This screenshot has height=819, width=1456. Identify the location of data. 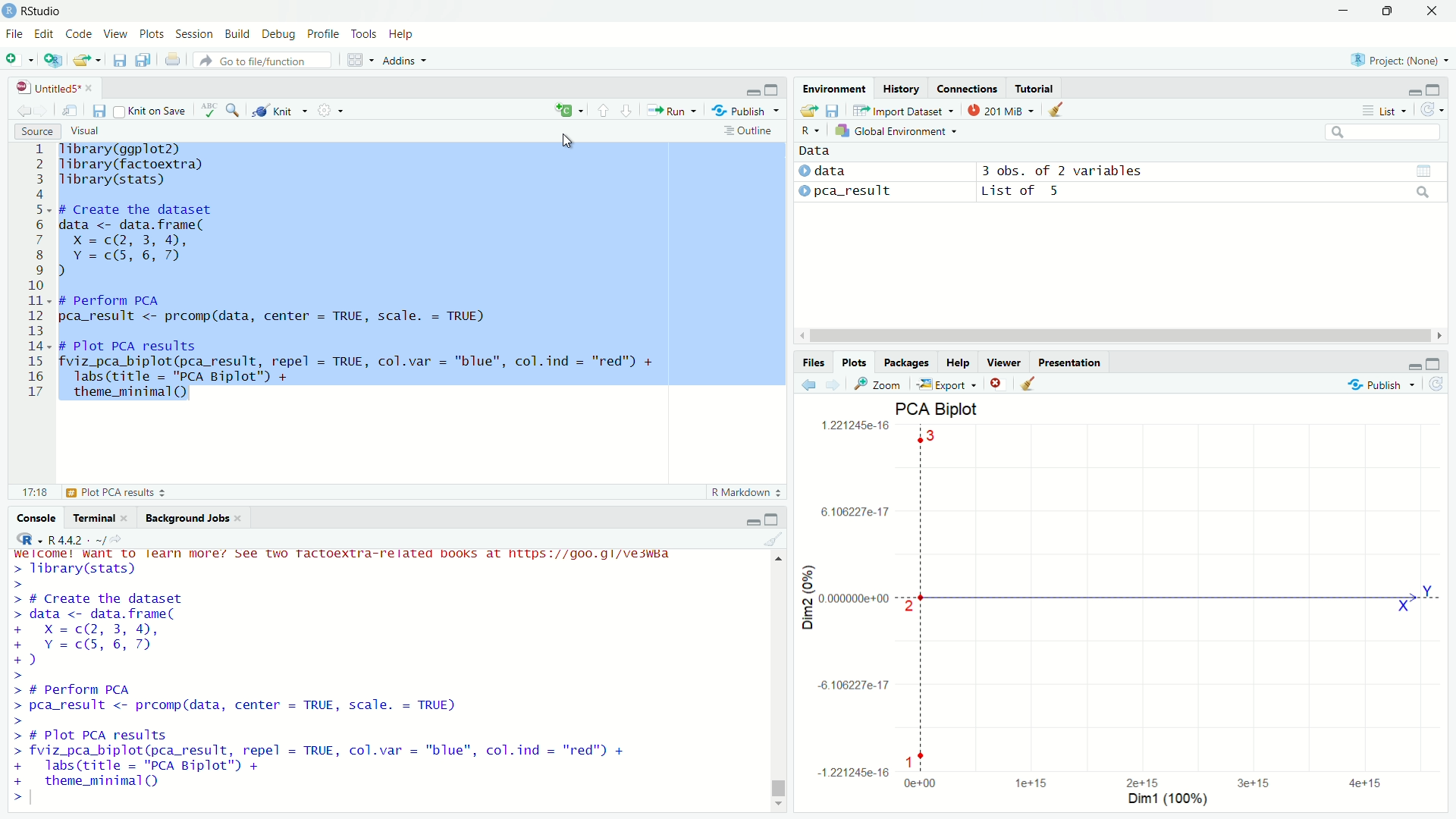
(817, 152).